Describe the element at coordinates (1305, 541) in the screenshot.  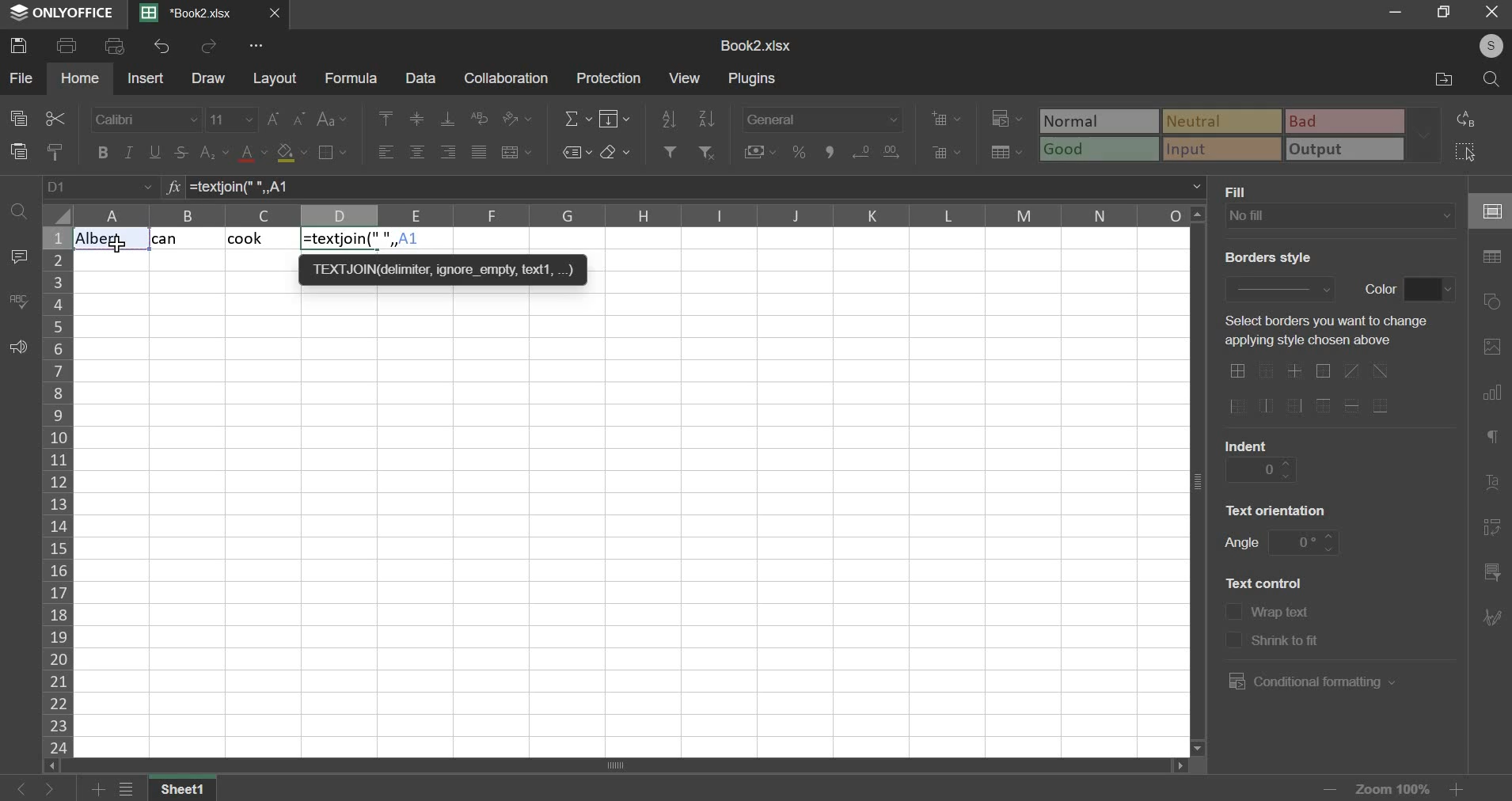
I see `angle` at that location.